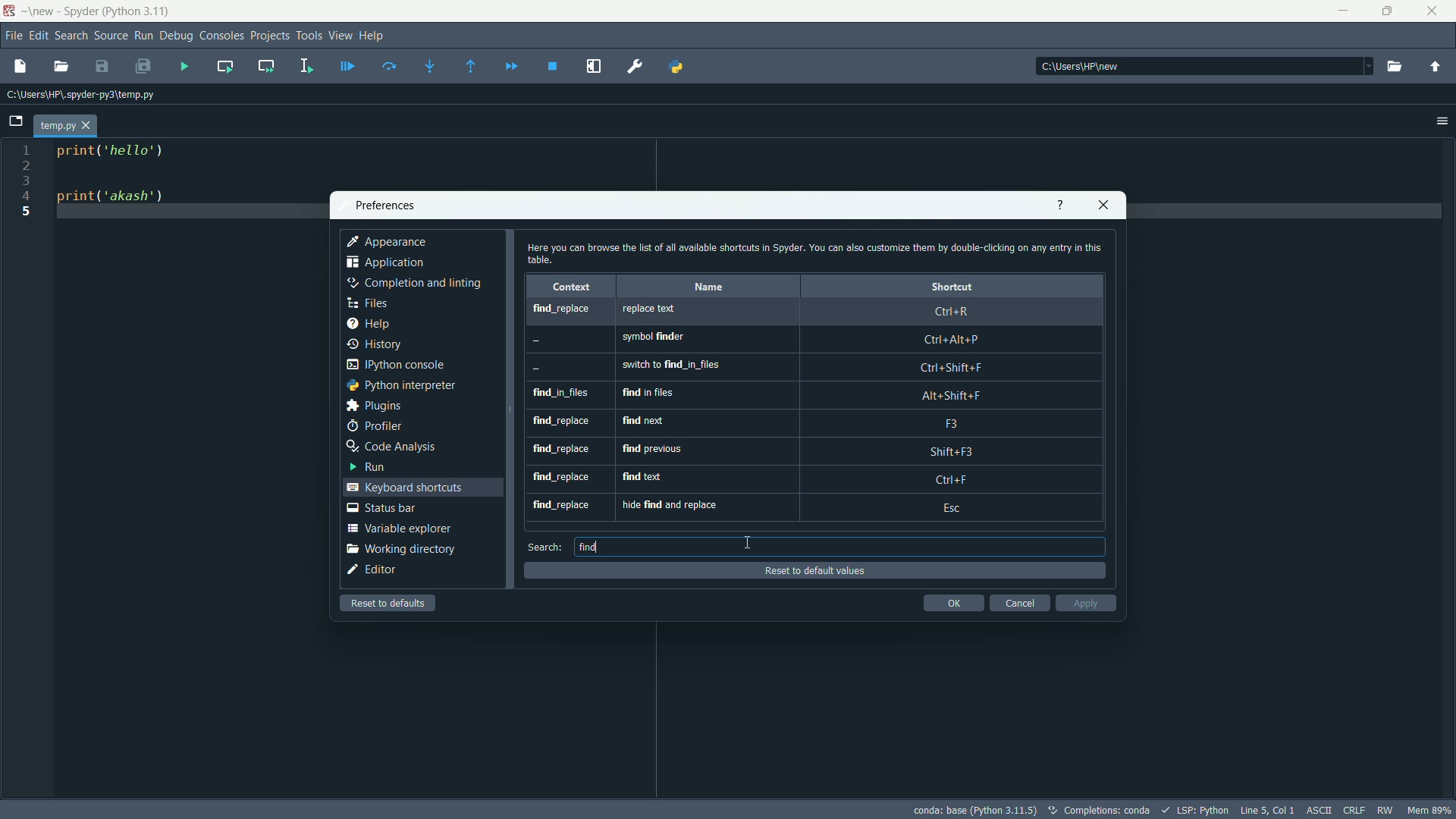  I want to click on status bar, so click(381, 508).